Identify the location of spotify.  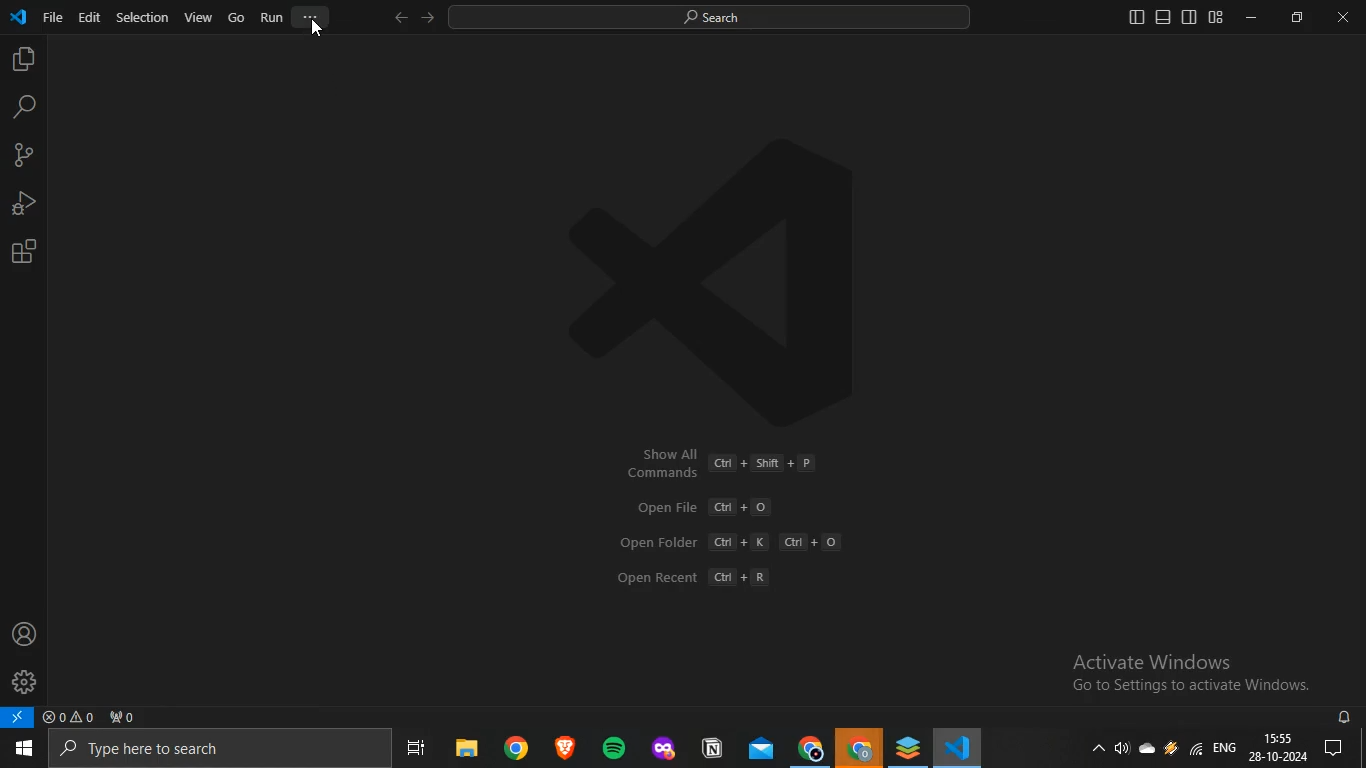
(610, 748).